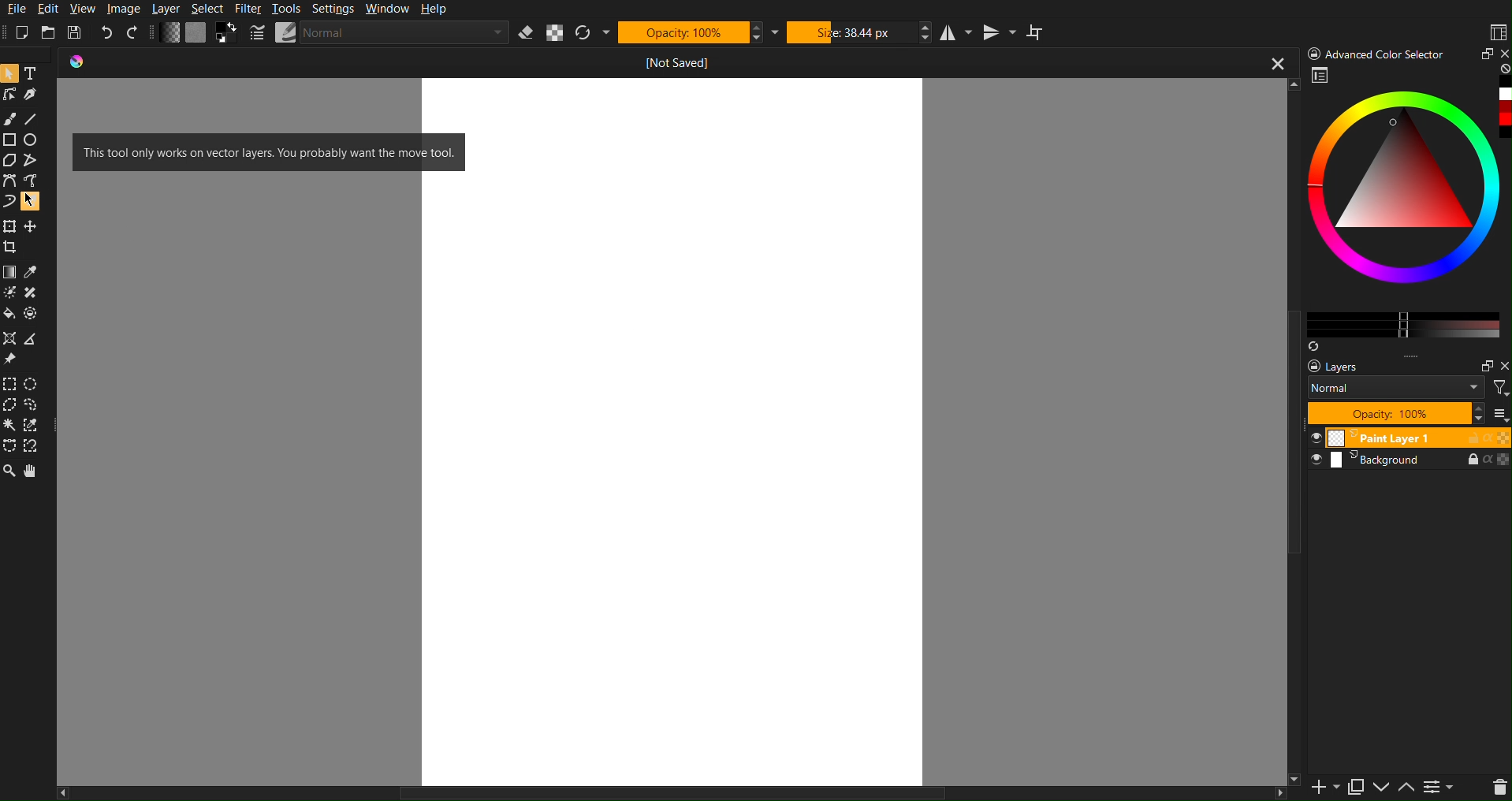 The width and height of the screenshot is (1512, 801). What do you see at coordinates (438, 9) in the screenshot?
I see `Help` at bounding box center [438, 9].